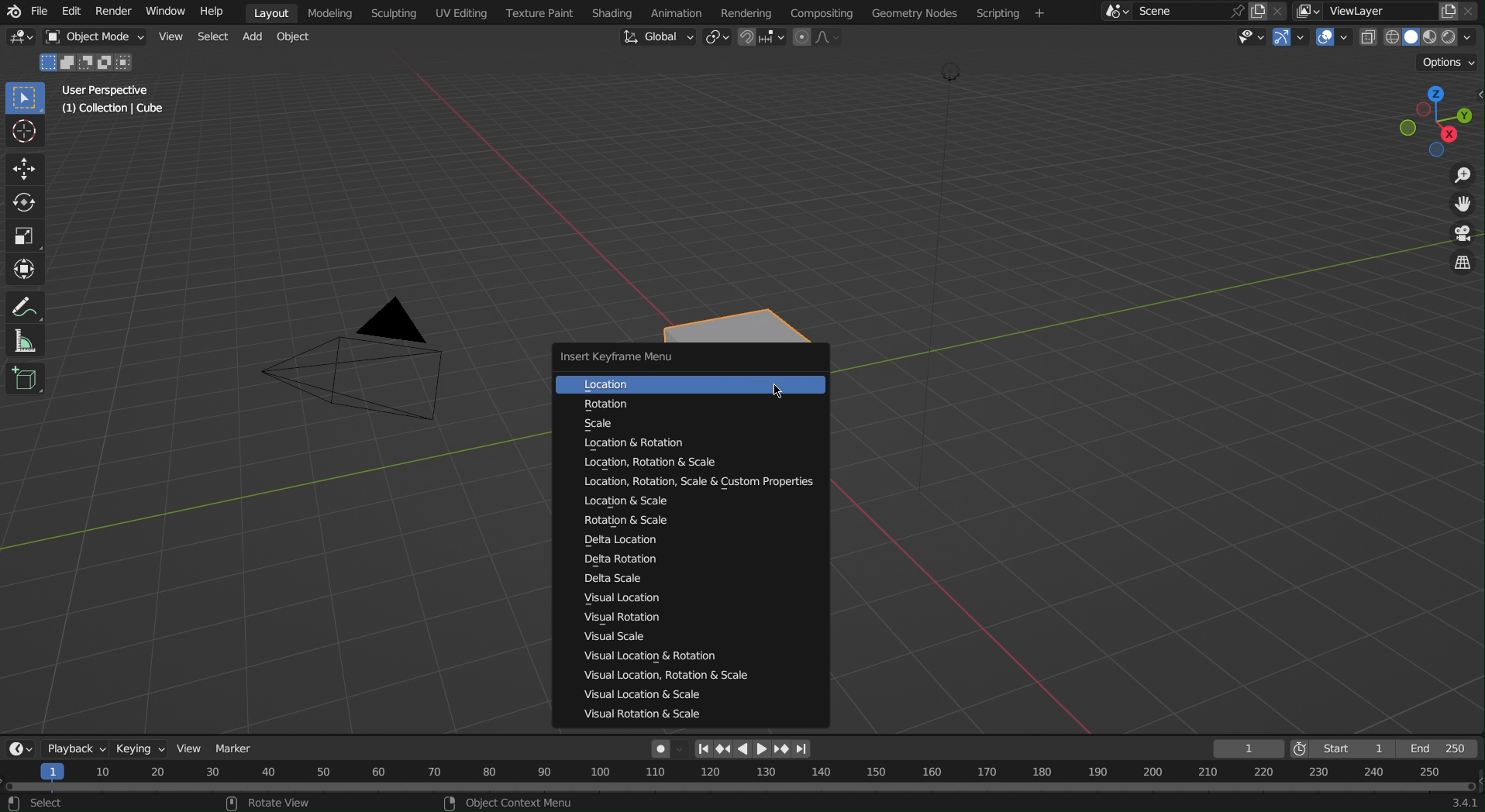 This screenshot has width=1485, height=812. What do you see at coordinates (47, 802) in the screenshot?
I see `select` at bounding box center [47, 802].